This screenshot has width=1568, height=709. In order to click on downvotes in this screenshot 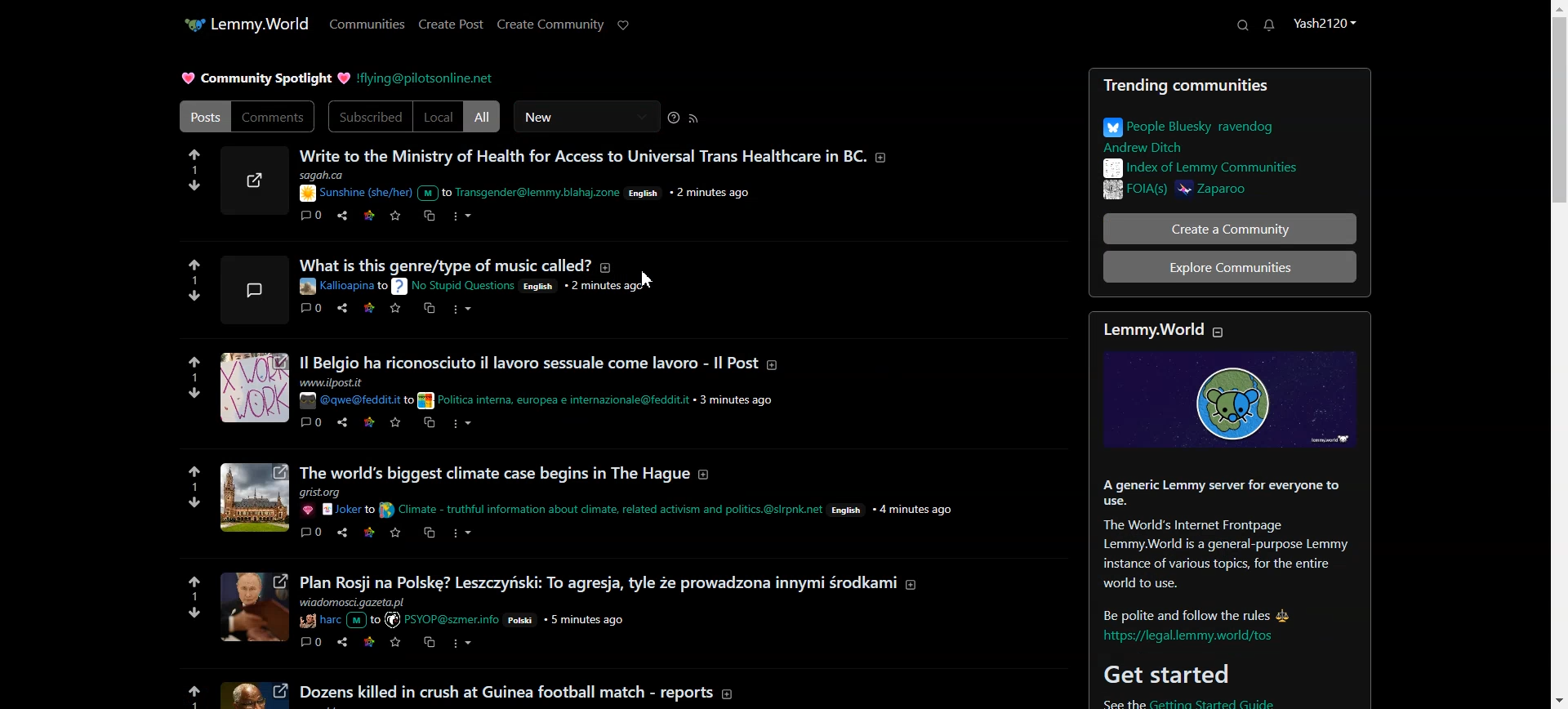, I will do `click(188, 619)`.